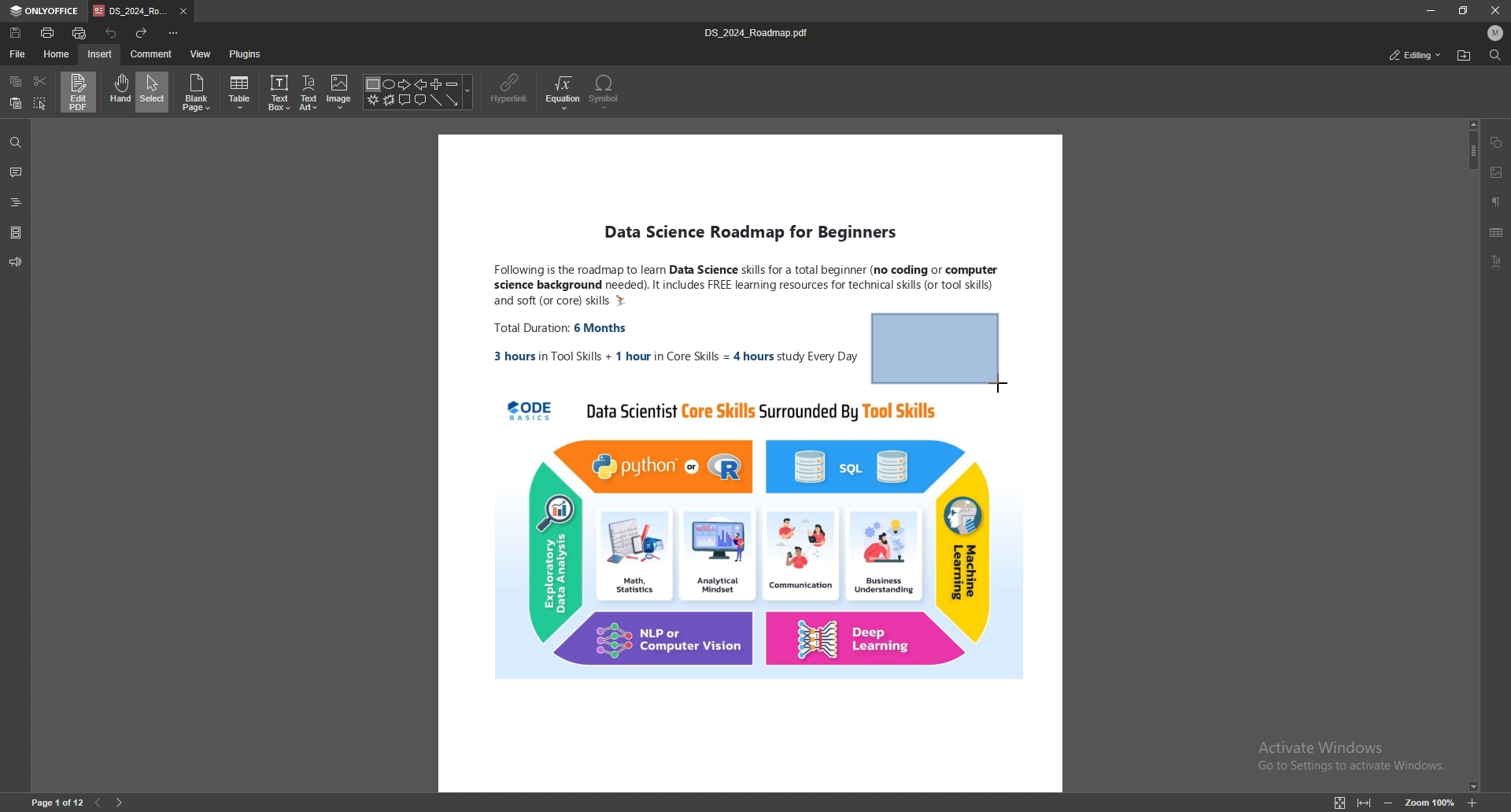 The width and height of the screenshot is (1511, 812). Describe the element at coordinates (46, 11) in the screenshot. I see `onlyoffice` at that location.